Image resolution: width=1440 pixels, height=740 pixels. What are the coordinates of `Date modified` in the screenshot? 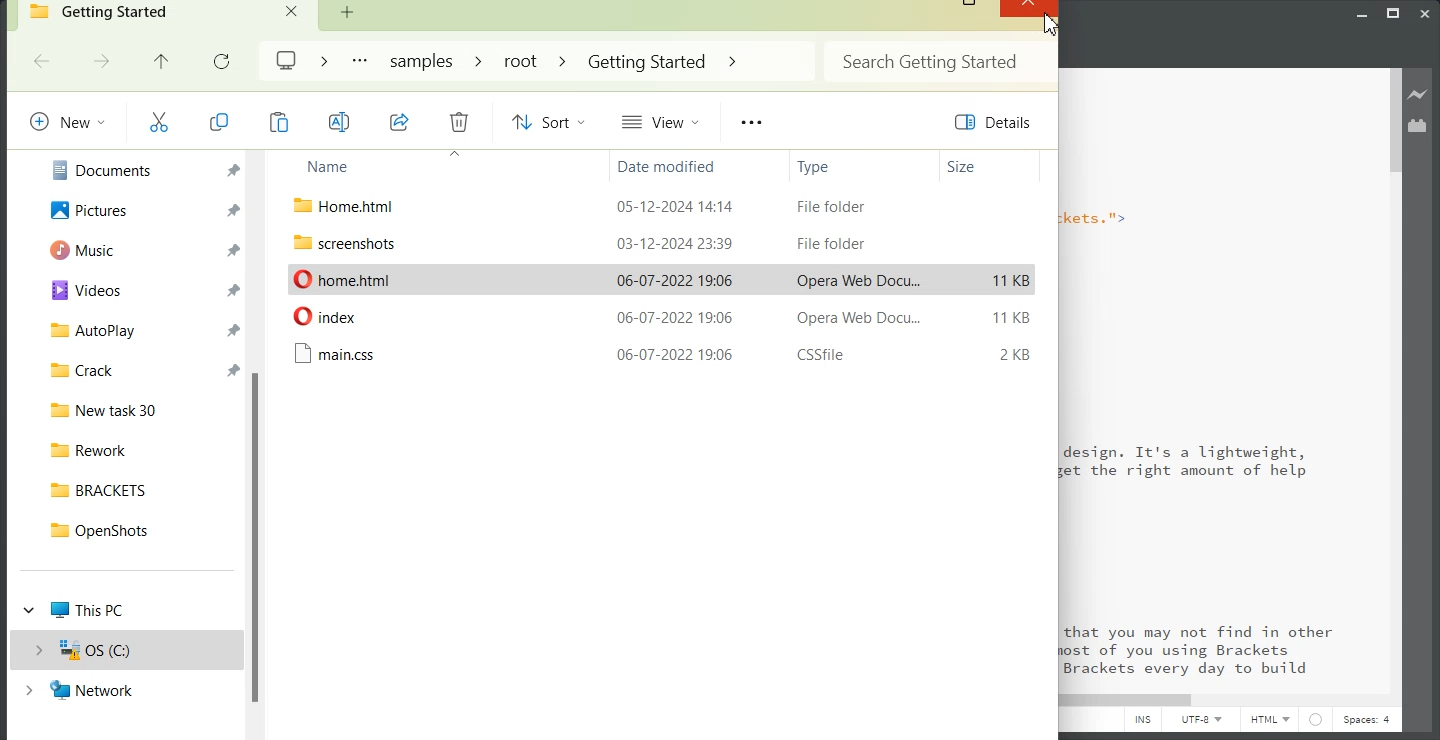 It's located at (678, 165).